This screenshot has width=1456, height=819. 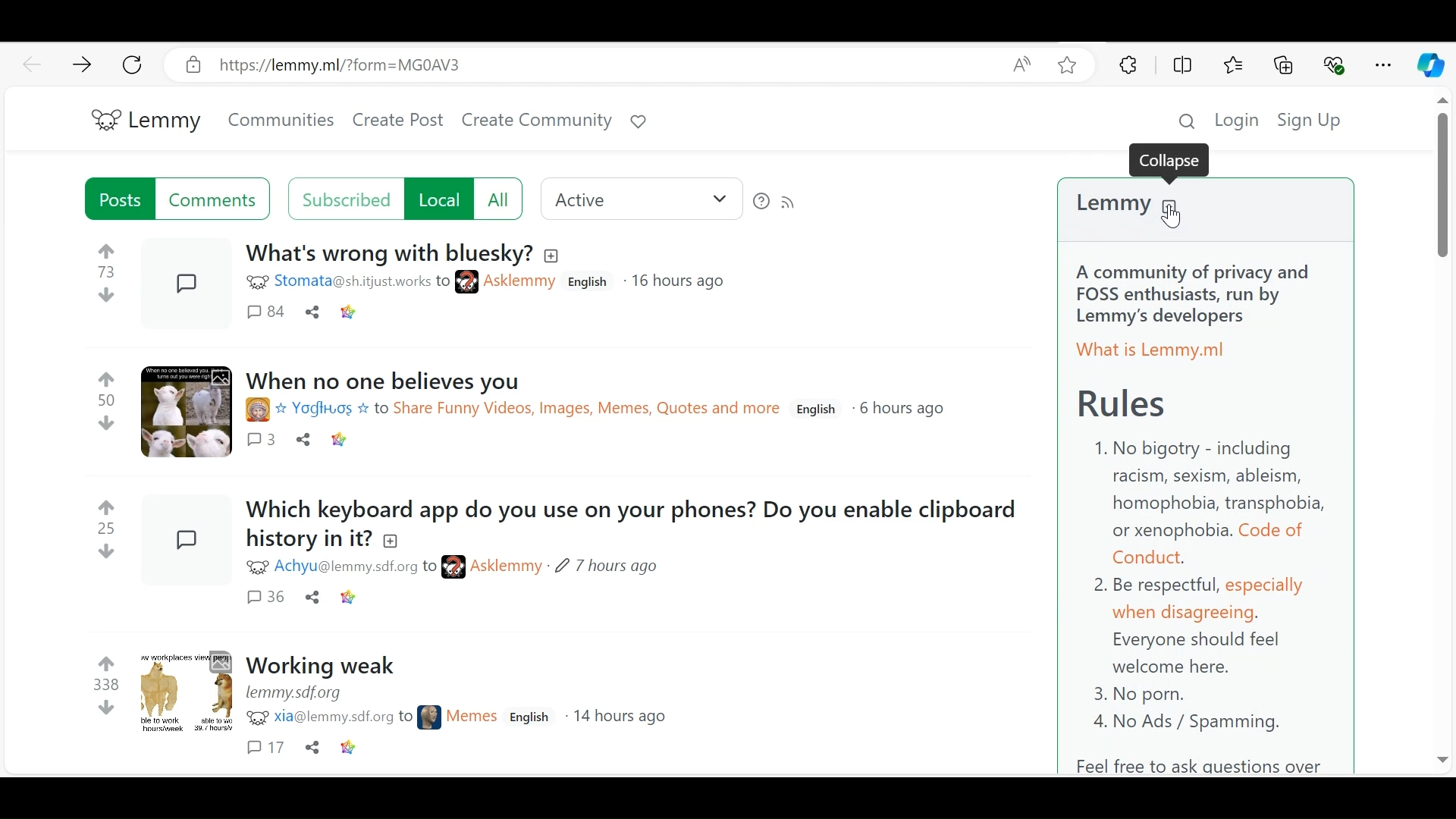 I want to click on down votes, so click(x=103, y=296).